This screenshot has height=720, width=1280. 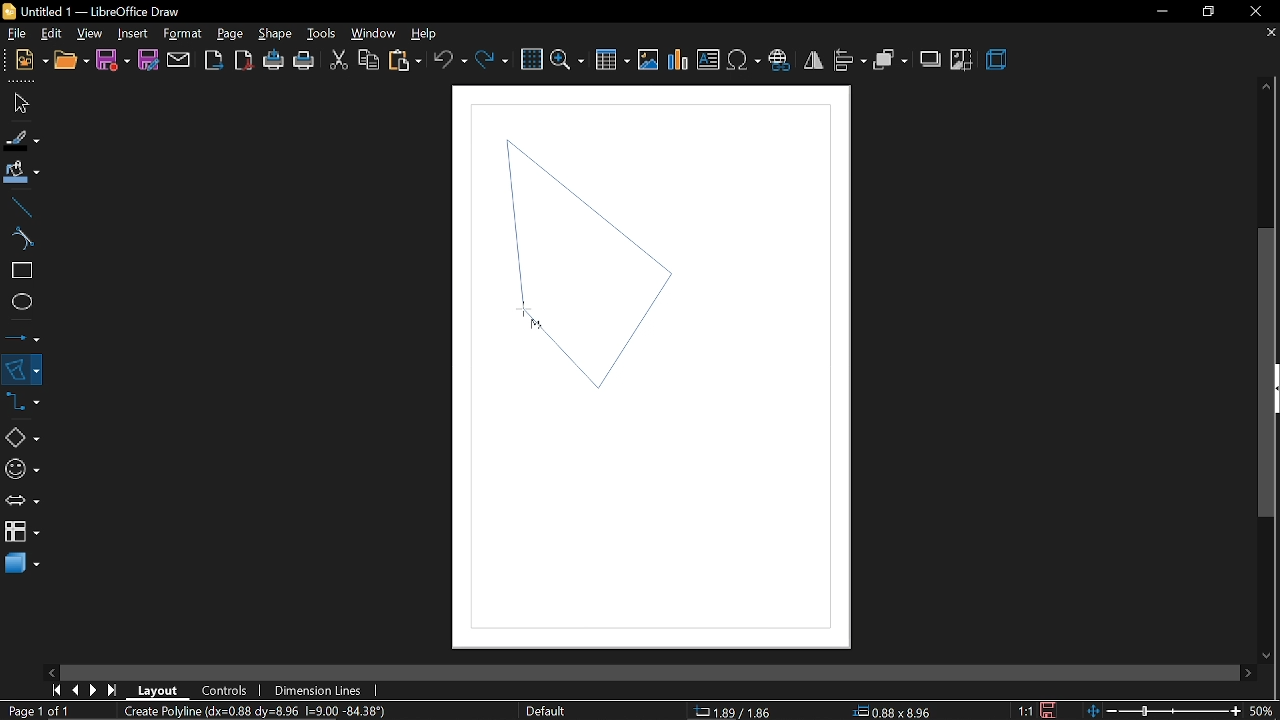 What do you see at coordinates (338, 58) in the screenshot?
I see `cut ` at bounding box center [338, 58].